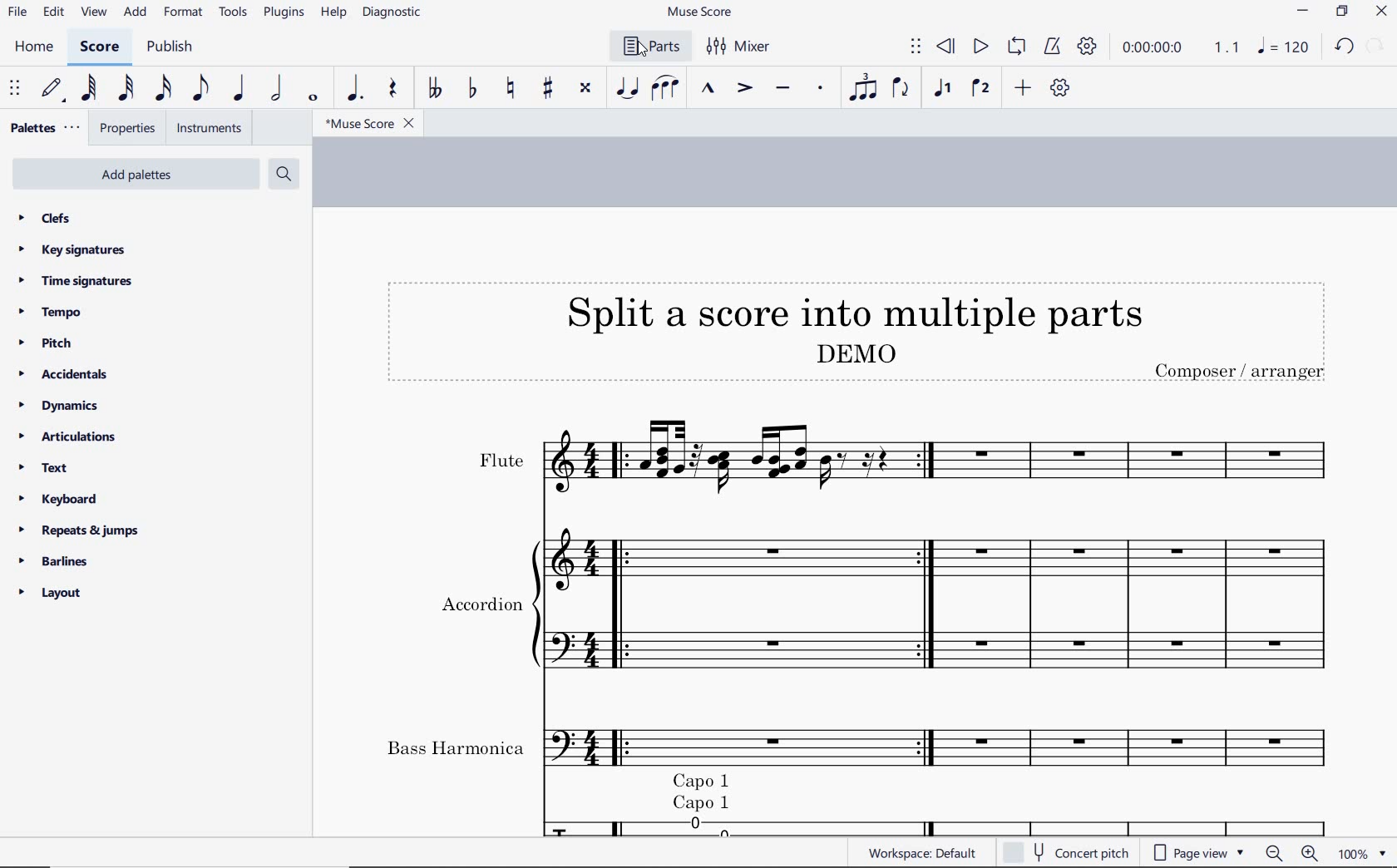 This screenshot has width=1397, height=868. Describe the element at coordinates (357, 88) in the screenshot. I see `augmentation dot` at that location.